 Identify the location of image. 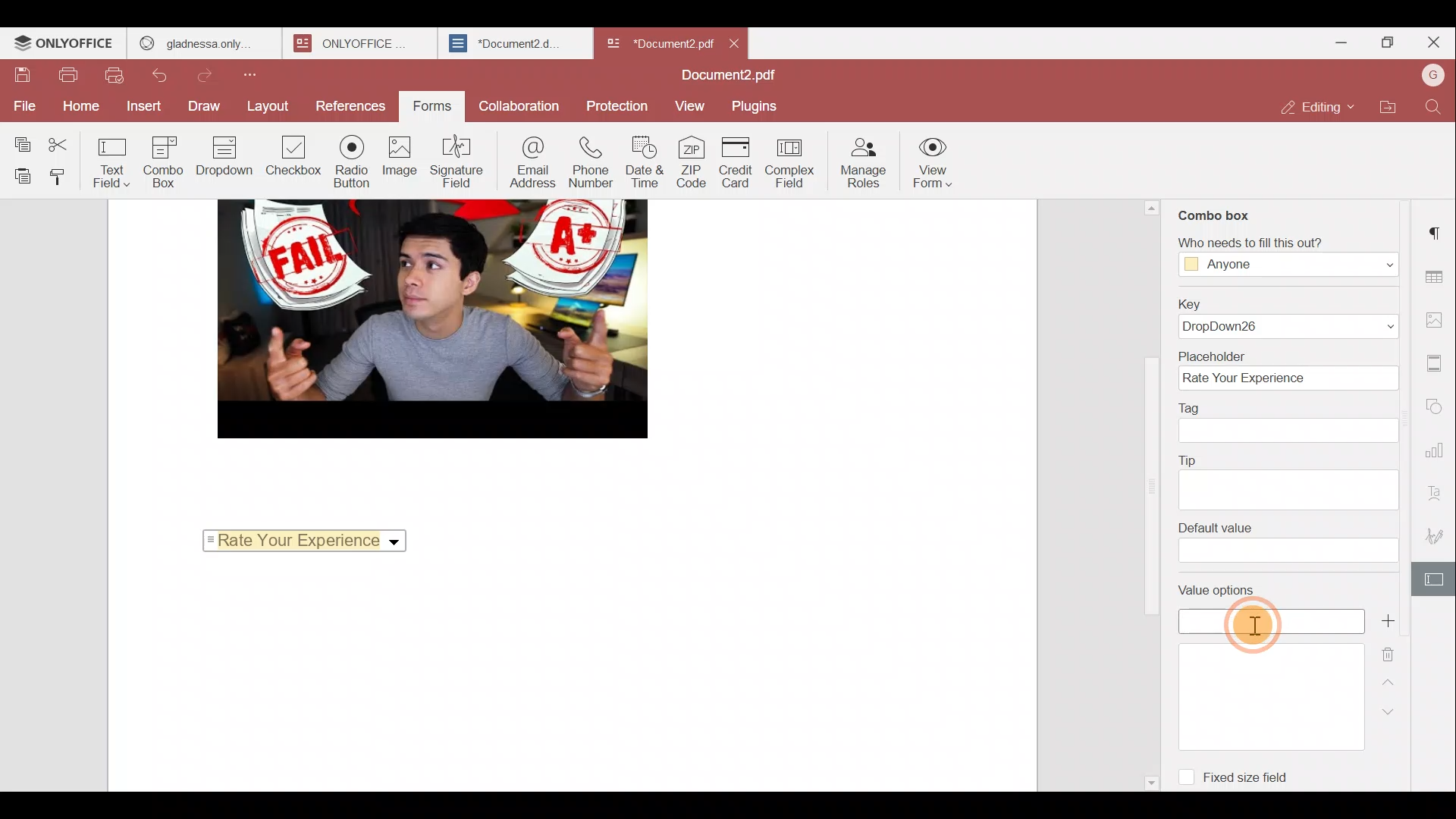
(431, 318).